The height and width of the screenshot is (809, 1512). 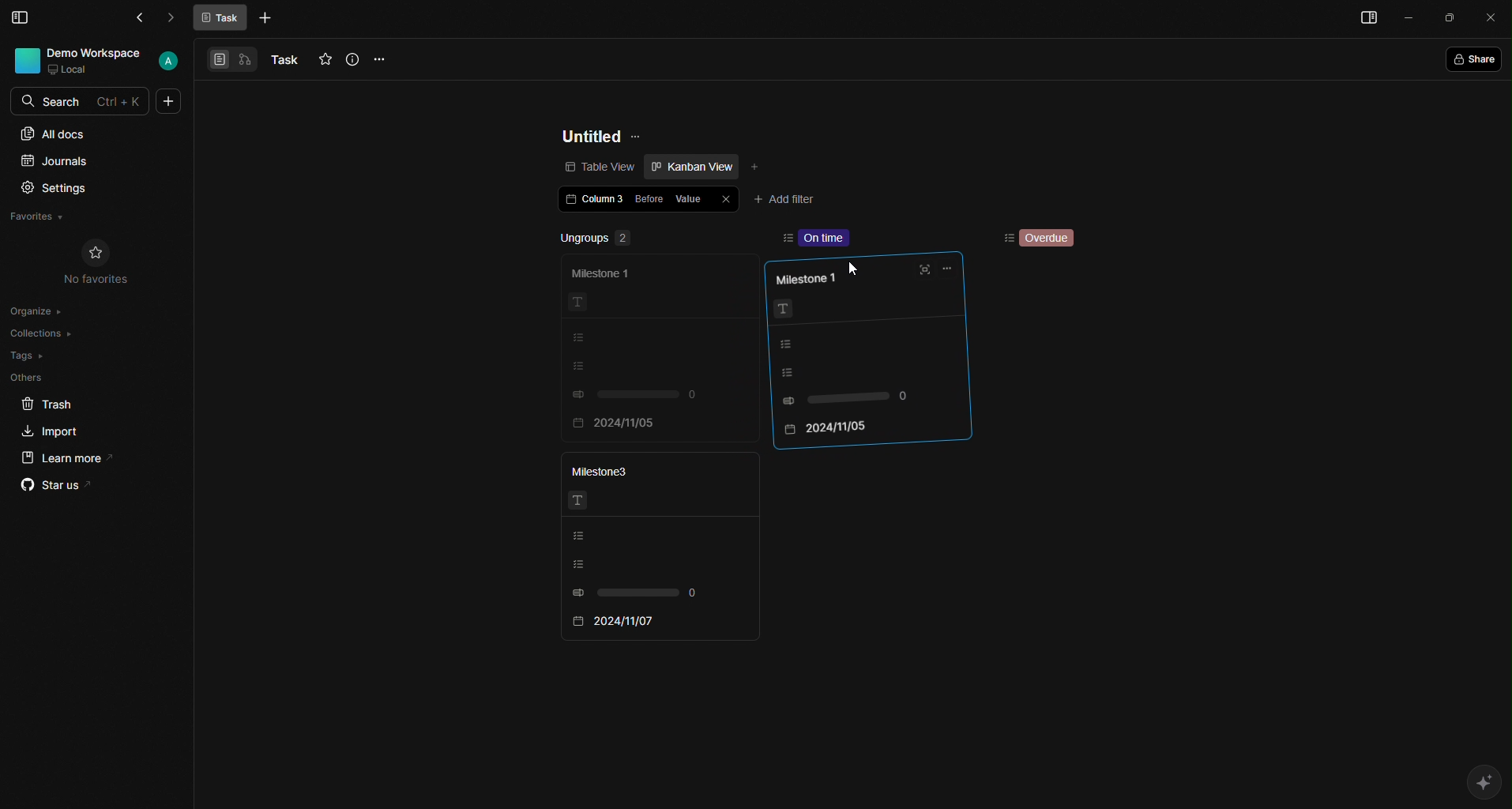 I want to click on Cursor, so click(x=856, y=271).